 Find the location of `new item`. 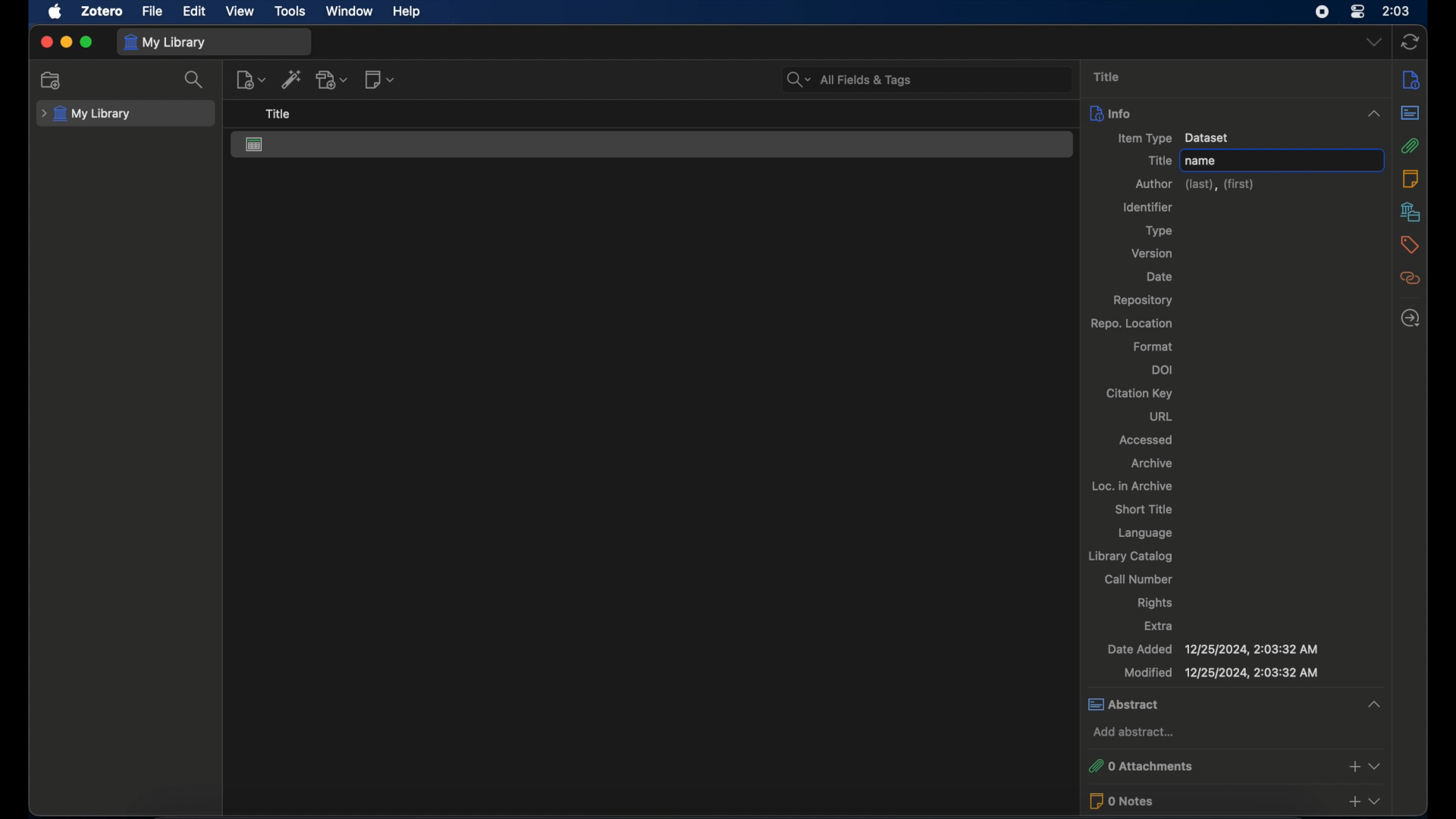

new item is located at coordinates (251, 79).